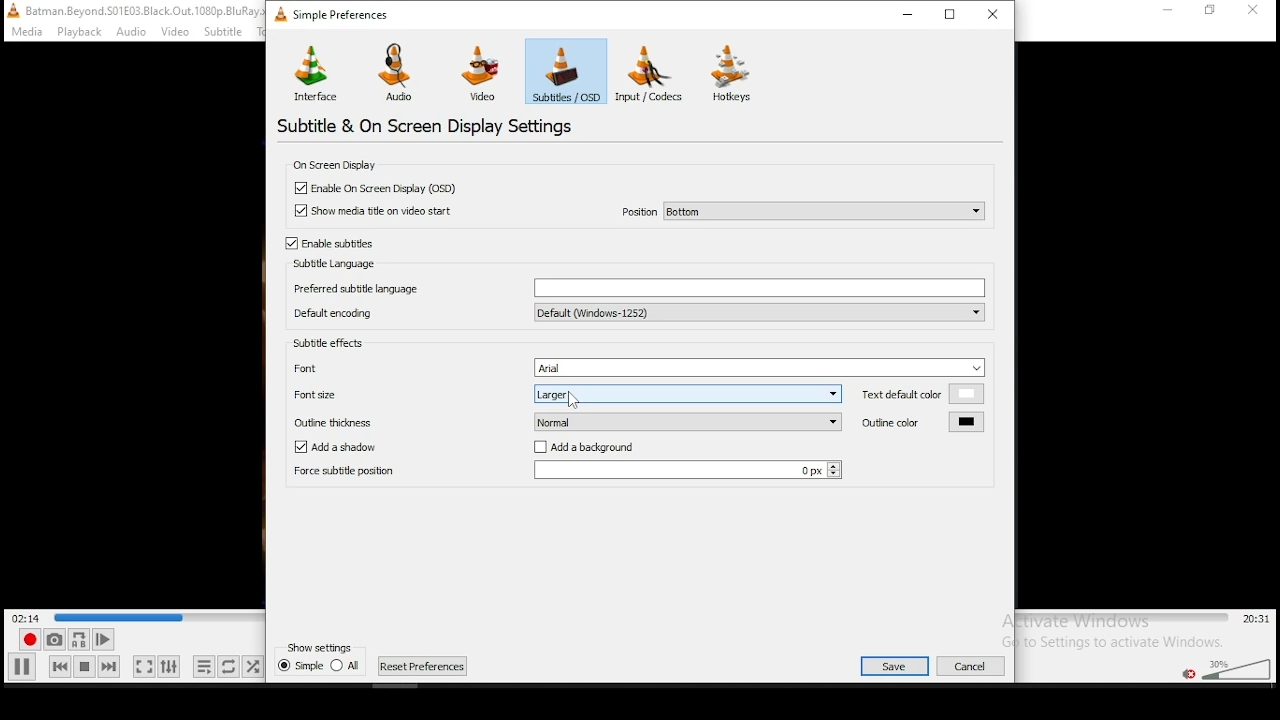 The height and width of the screenshot is (720, 1280). What do you see at coordinates (575, 400) in the screenshot?
I see `` at bounding box center [575, 400].